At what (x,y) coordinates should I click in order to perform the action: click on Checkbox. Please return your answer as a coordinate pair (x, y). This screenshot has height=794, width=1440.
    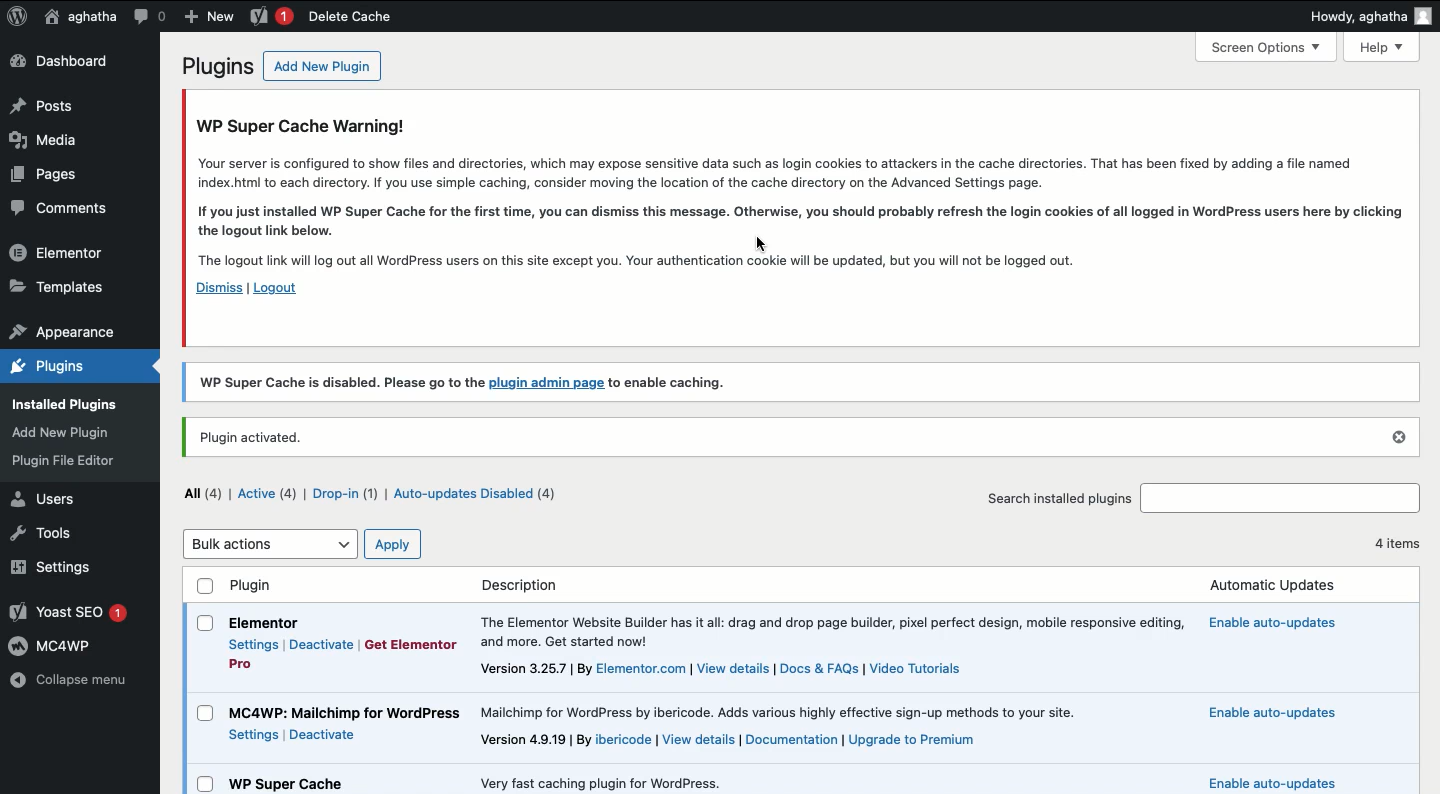
    Looking at the image, I should click on (206, 622).